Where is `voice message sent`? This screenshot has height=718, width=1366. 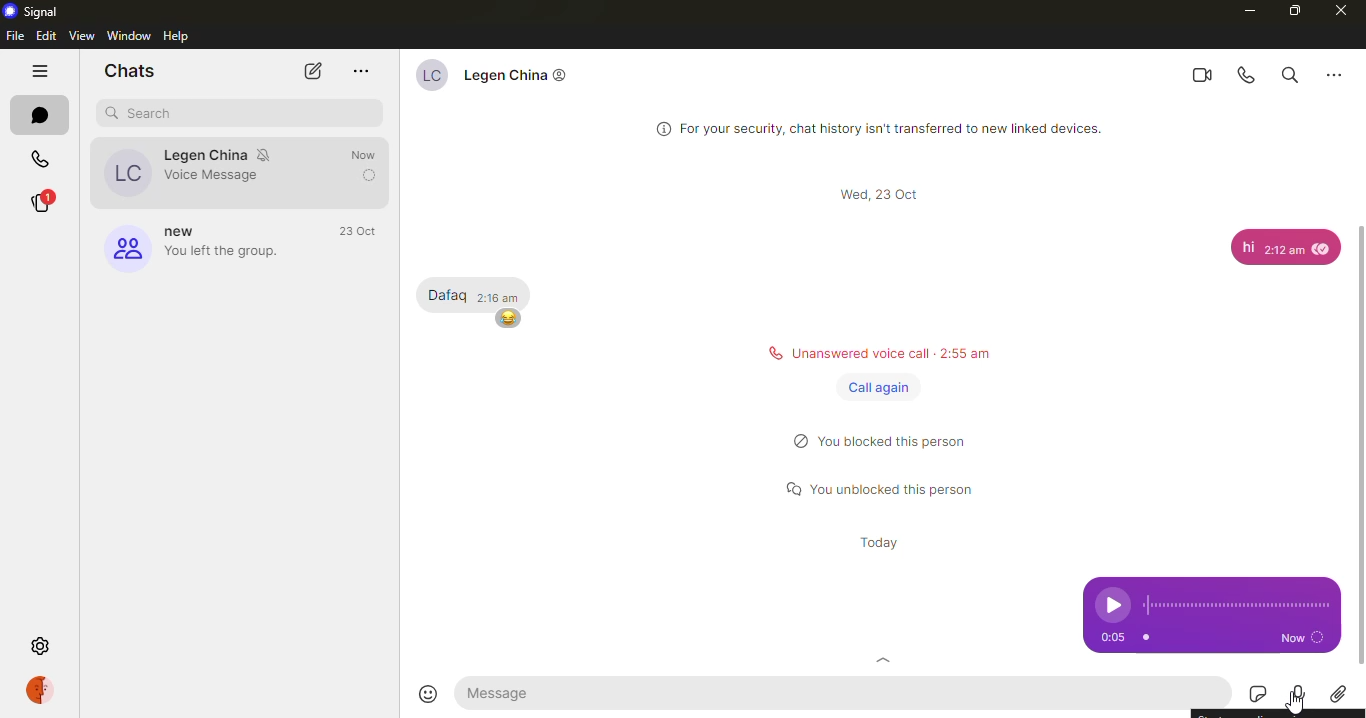
voice message sent is located at coordinates (214, 174).